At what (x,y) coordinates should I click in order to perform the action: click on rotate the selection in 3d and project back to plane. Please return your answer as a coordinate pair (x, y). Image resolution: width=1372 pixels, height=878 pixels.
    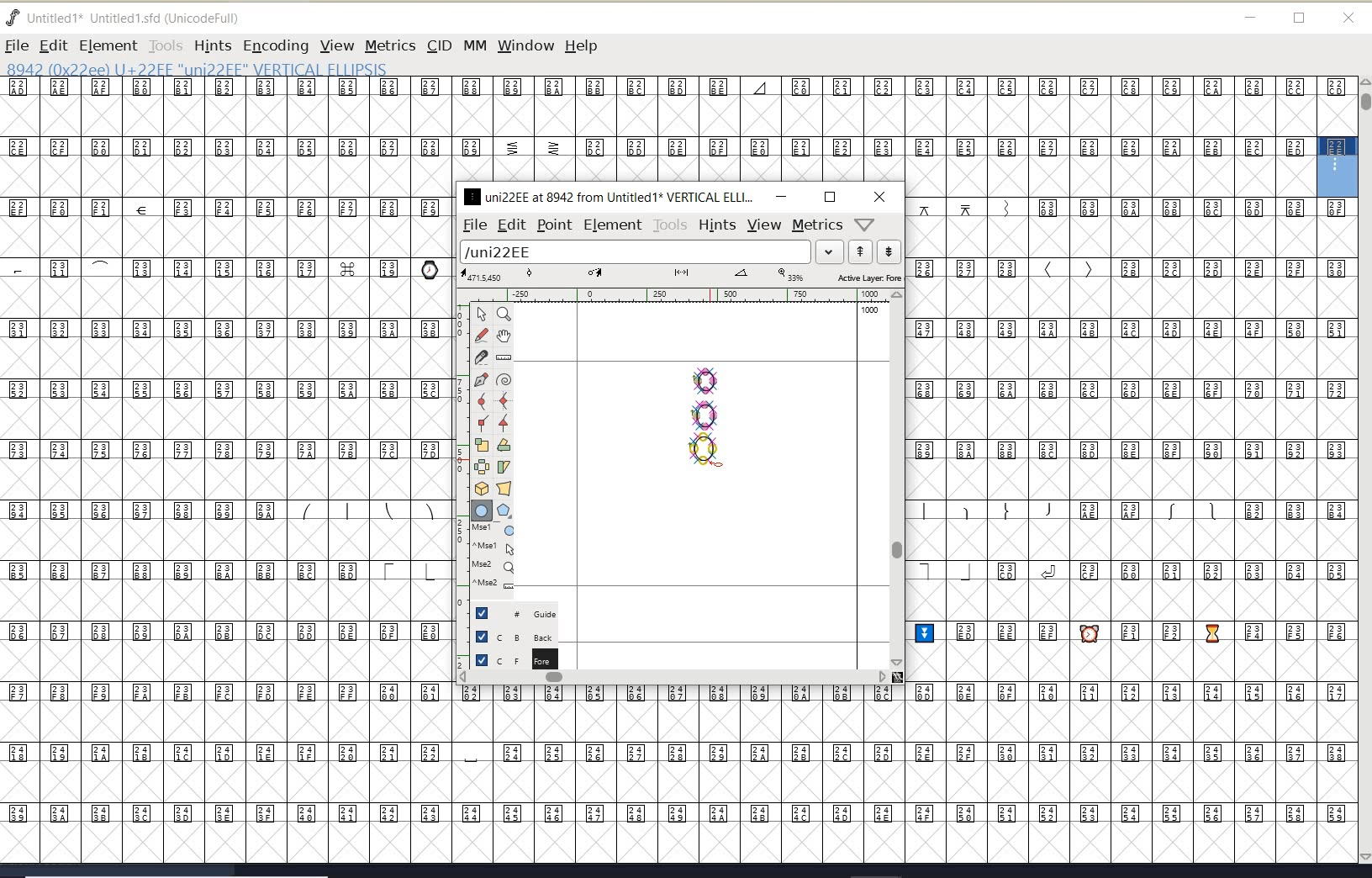
    Looking at the image, I should click on (482, 489).